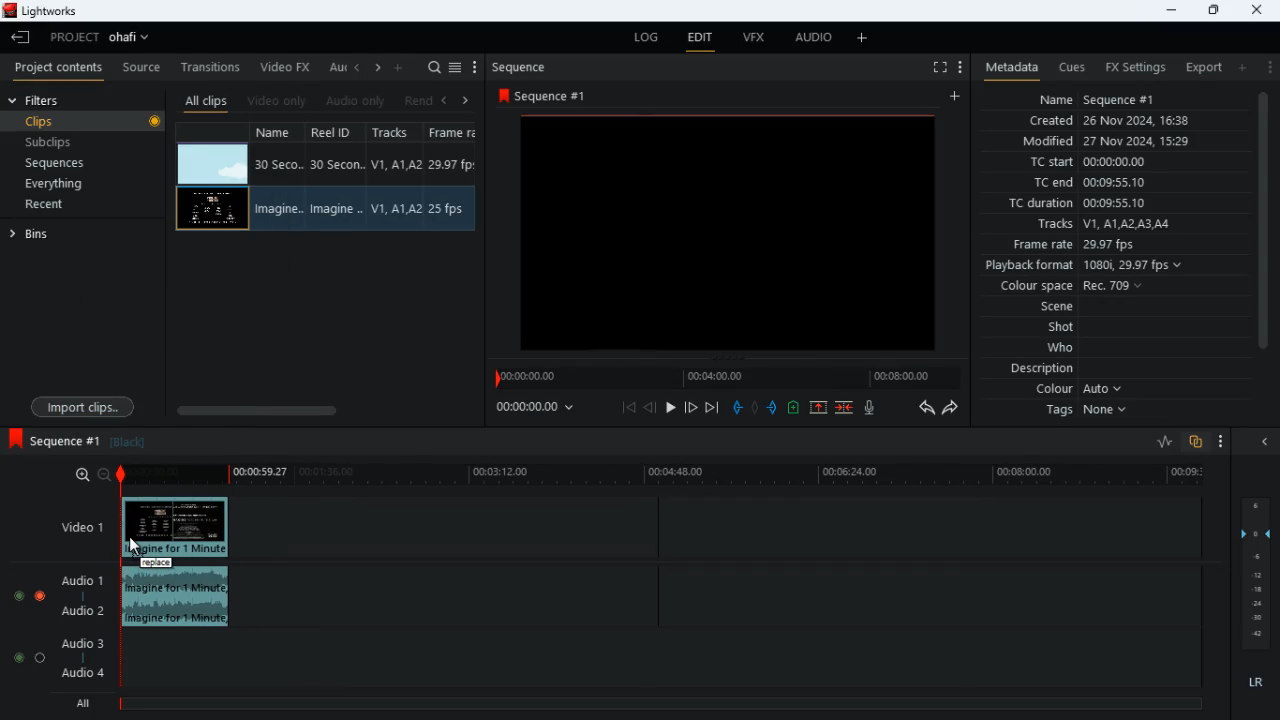 This screenshot has width=1280, height=720. I want to click on more, so click(1268, 66).